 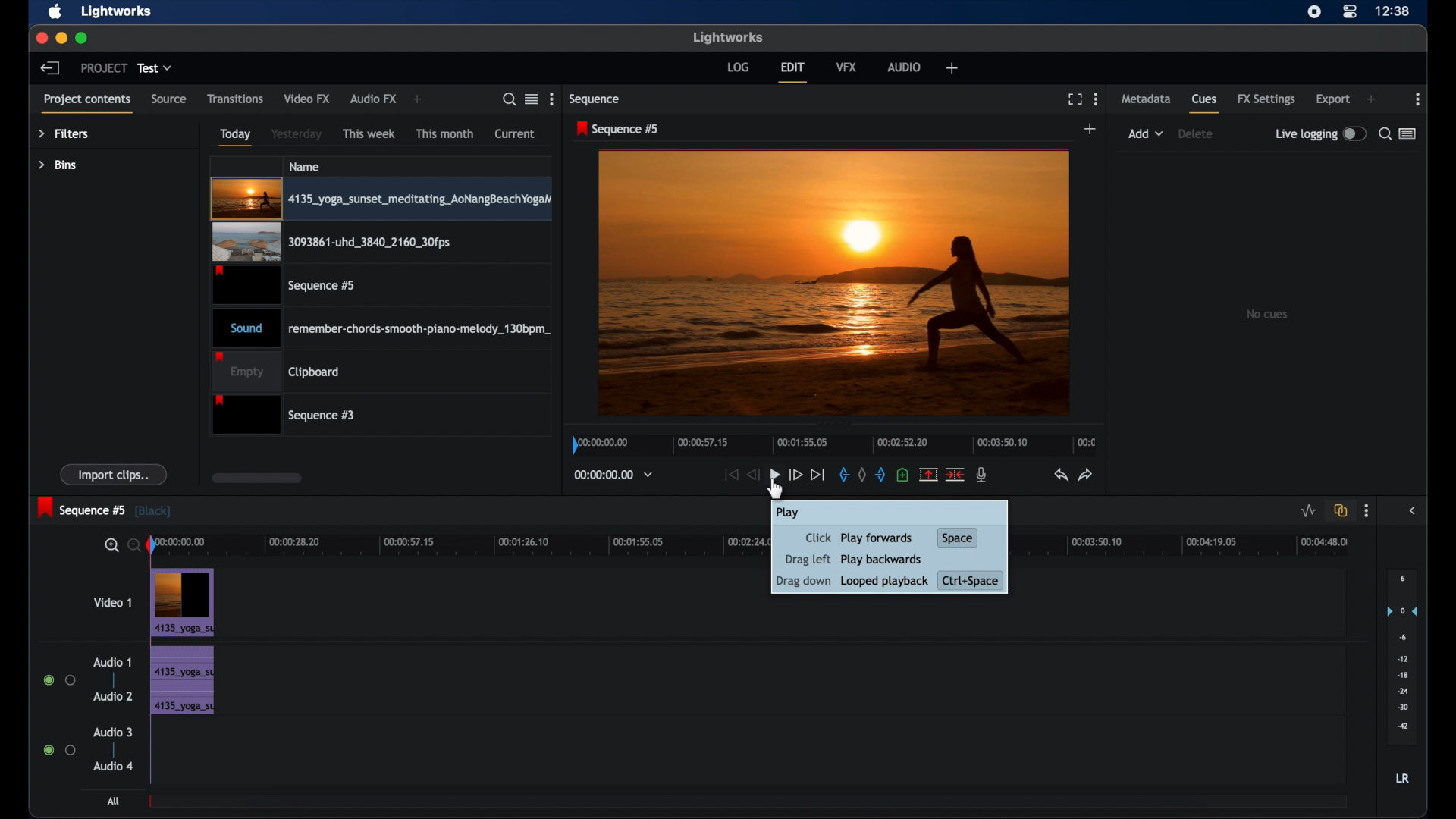 I want to click on current, so click(x=515, y=134).